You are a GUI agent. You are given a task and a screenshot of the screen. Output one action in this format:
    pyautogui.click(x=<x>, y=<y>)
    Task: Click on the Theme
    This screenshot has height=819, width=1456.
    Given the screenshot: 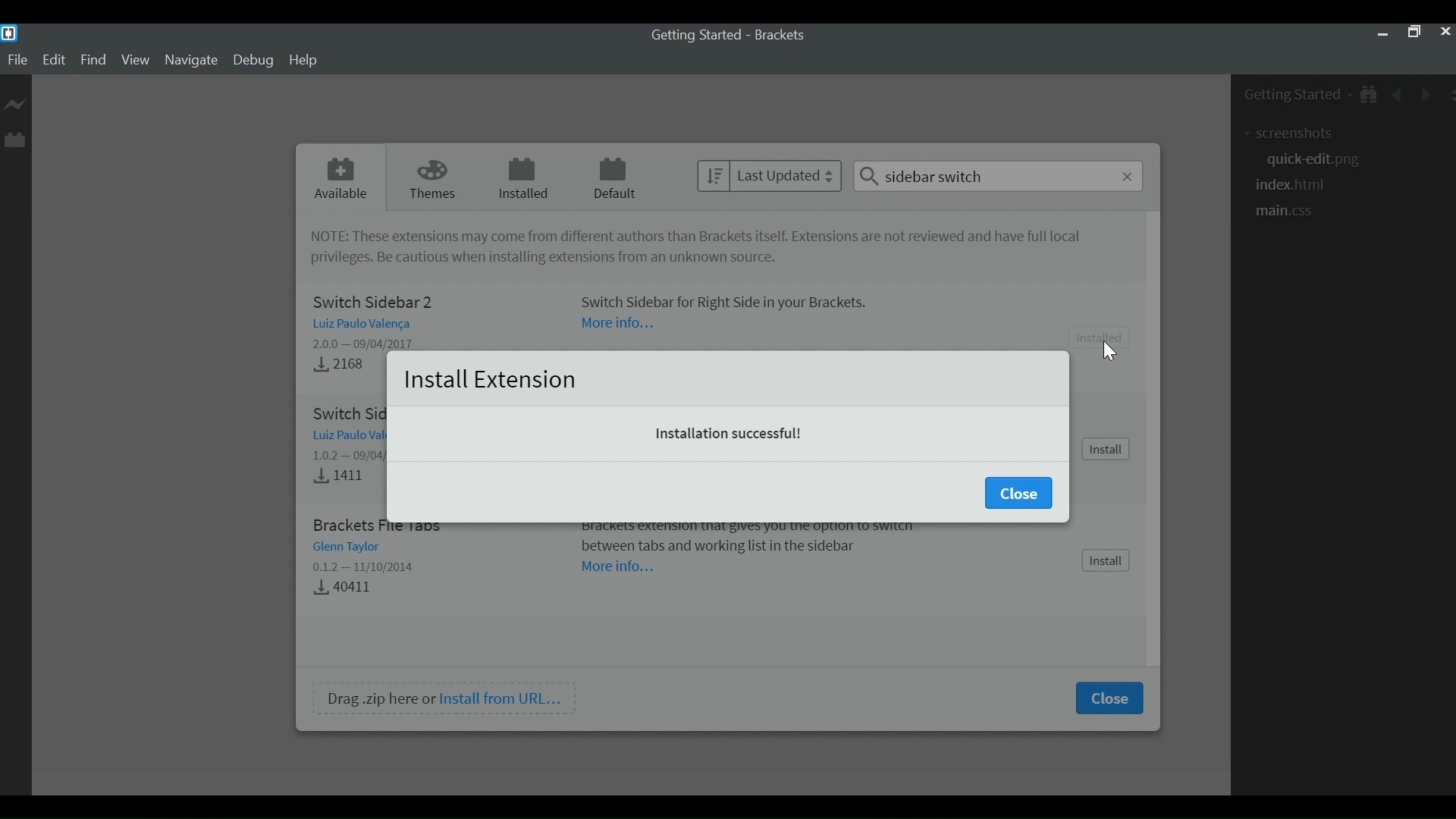 What is the action you would take?
    pyautogui.click(x=436, y=178)
    